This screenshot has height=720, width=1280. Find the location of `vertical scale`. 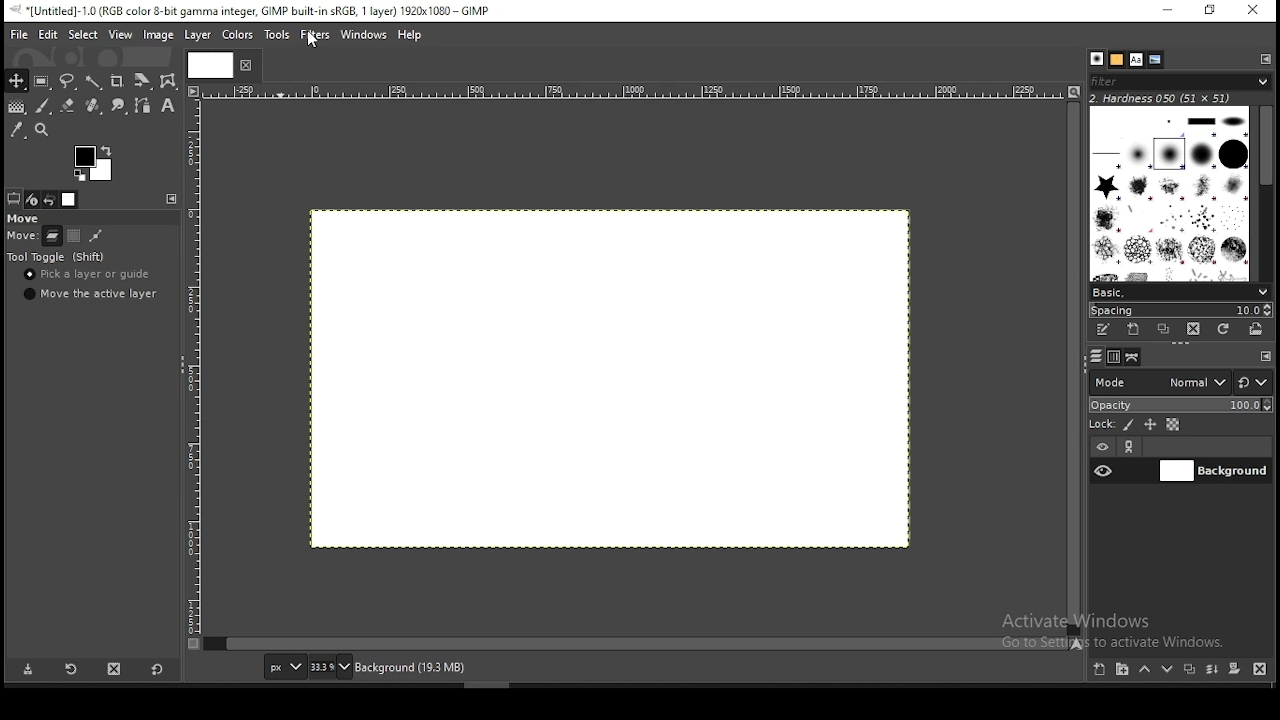

vertical scale is located at coordinates (197, 375).